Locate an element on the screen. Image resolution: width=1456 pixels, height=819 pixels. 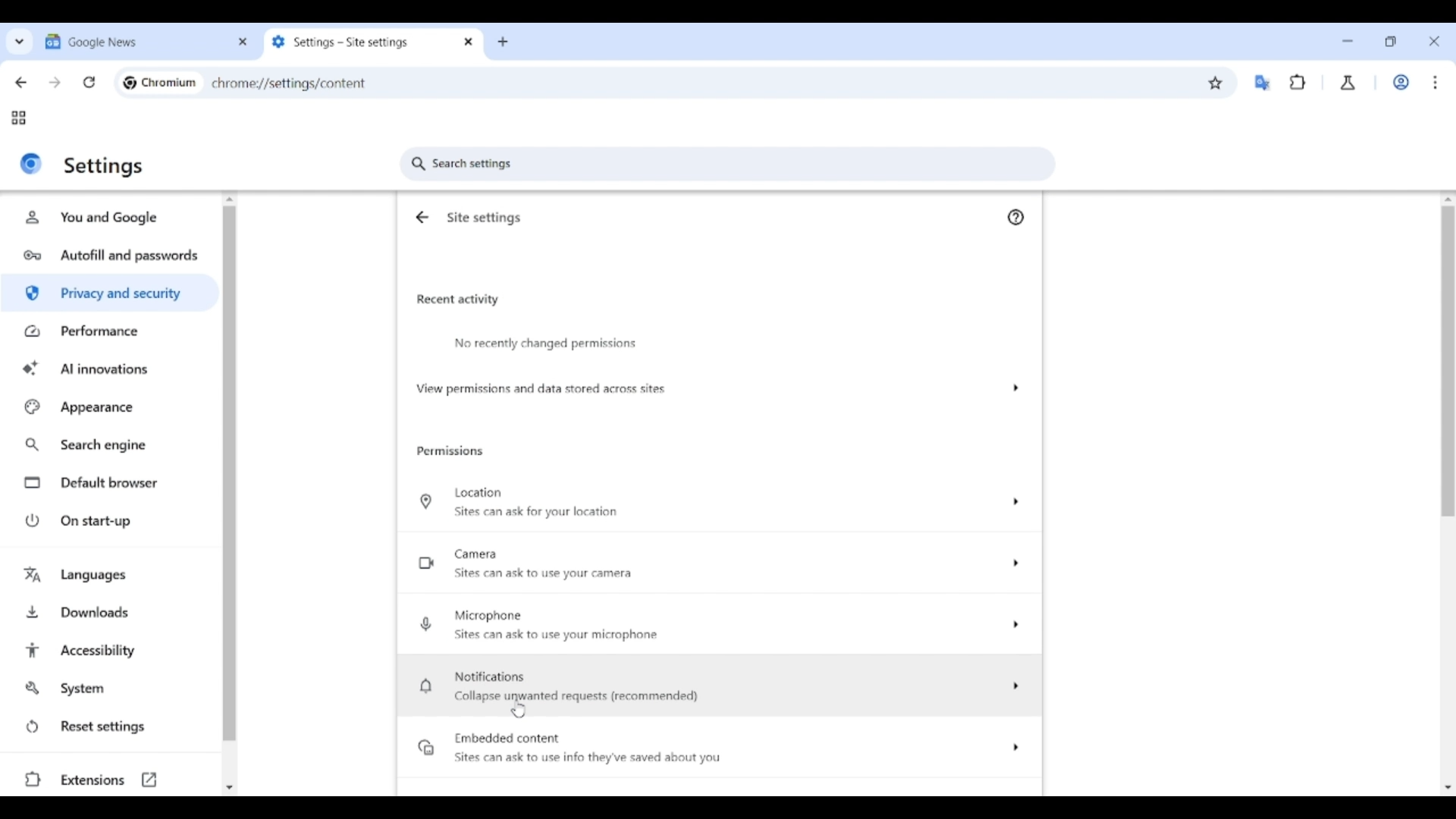
Vertical slide bar is located at coordinates (229, 474).